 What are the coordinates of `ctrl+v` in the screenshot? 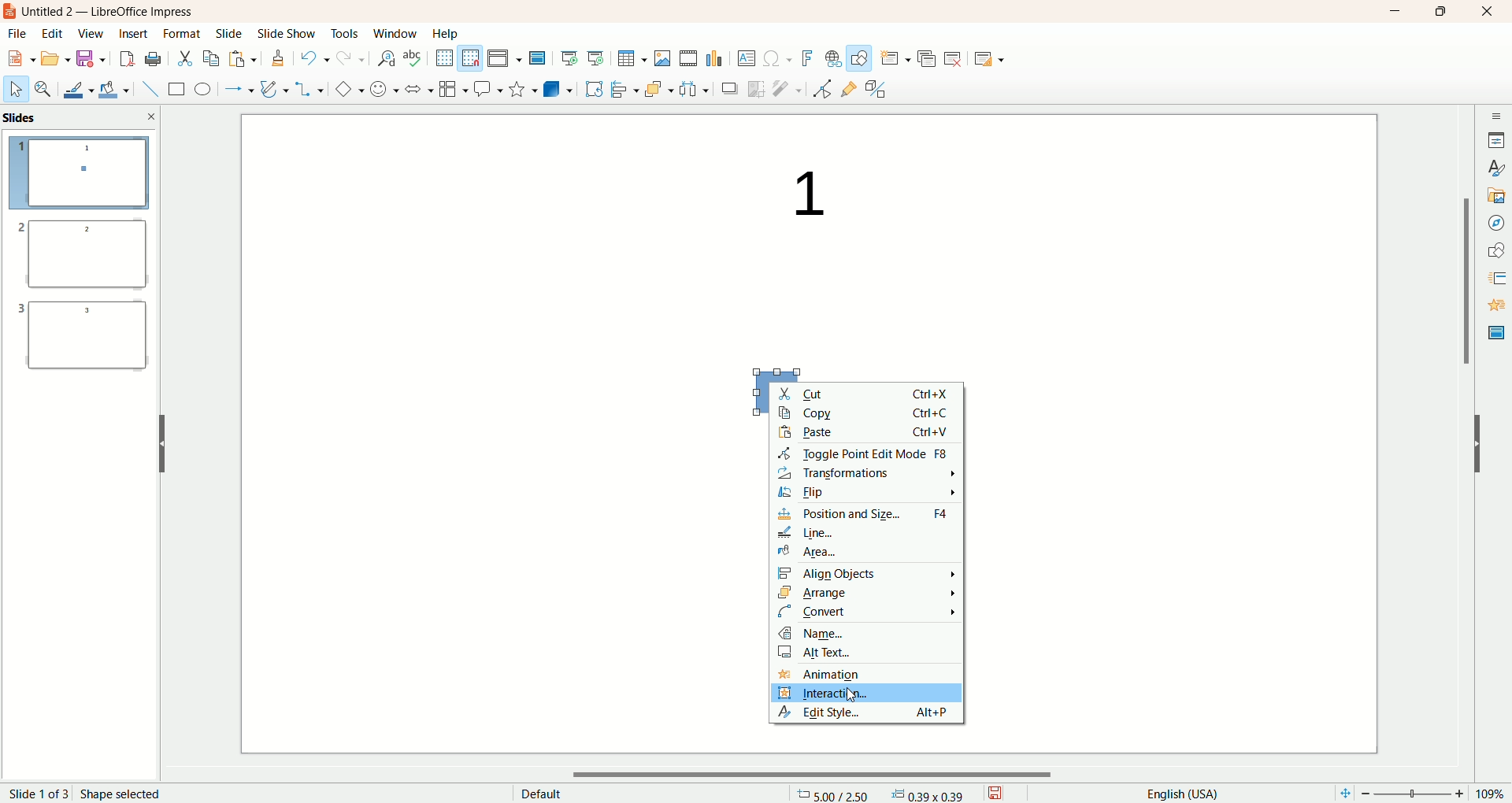 It's located at (940, 431).